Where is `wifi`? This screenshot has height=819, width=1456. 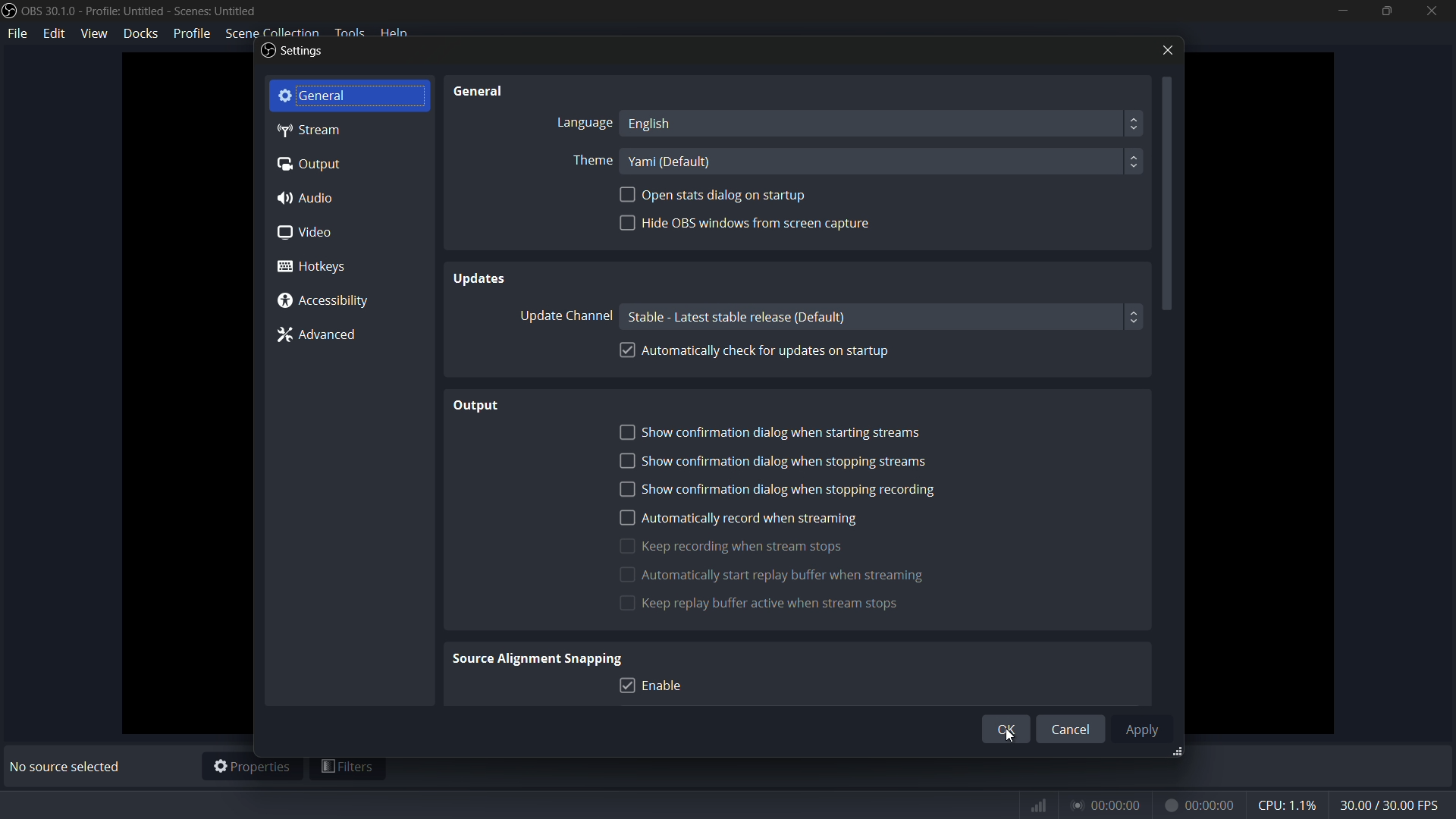
wifi is located at coordinates (1040, 803).